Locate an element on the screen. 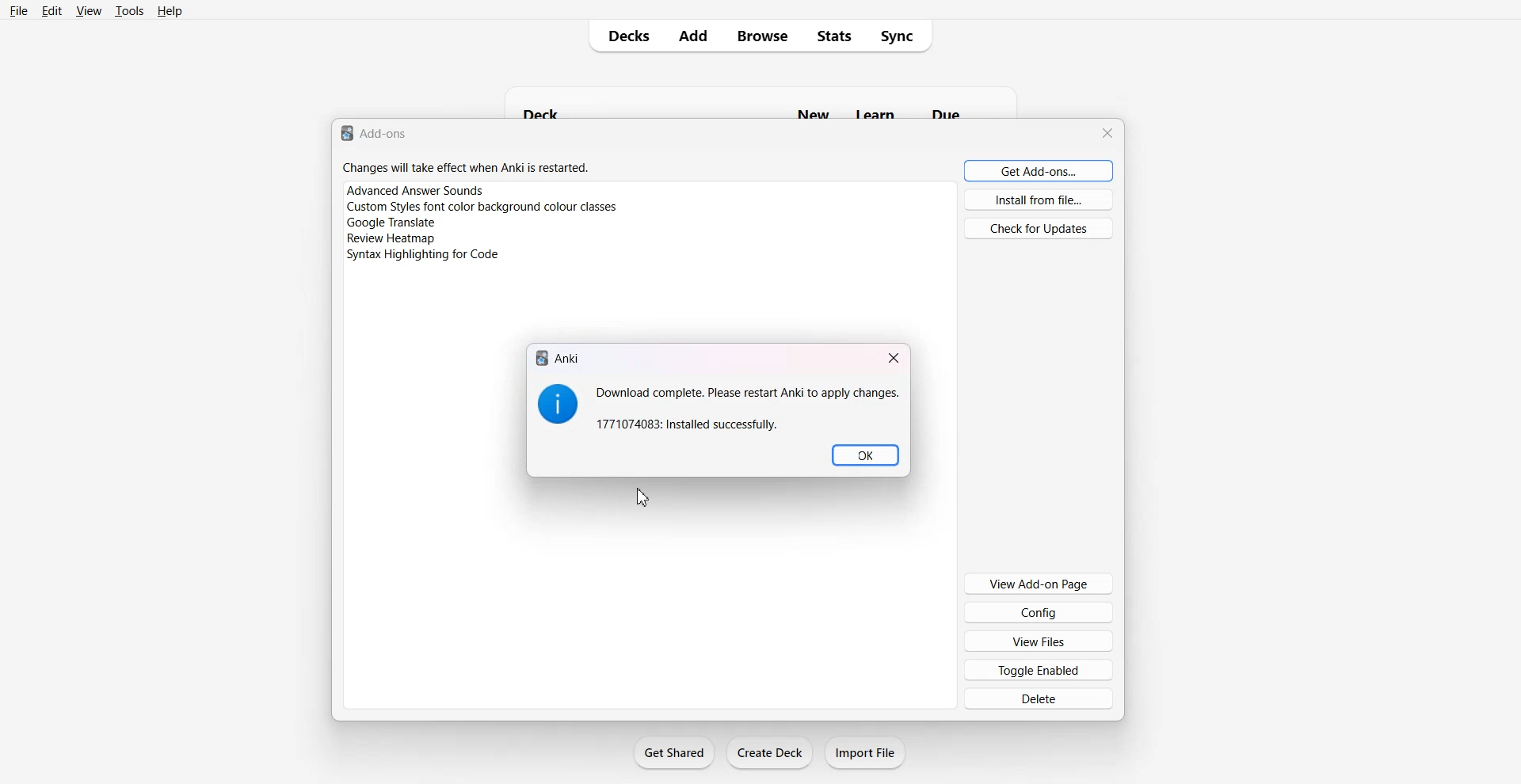 The image size is (1521, 784). Config is located at coordinates (1039, 612).